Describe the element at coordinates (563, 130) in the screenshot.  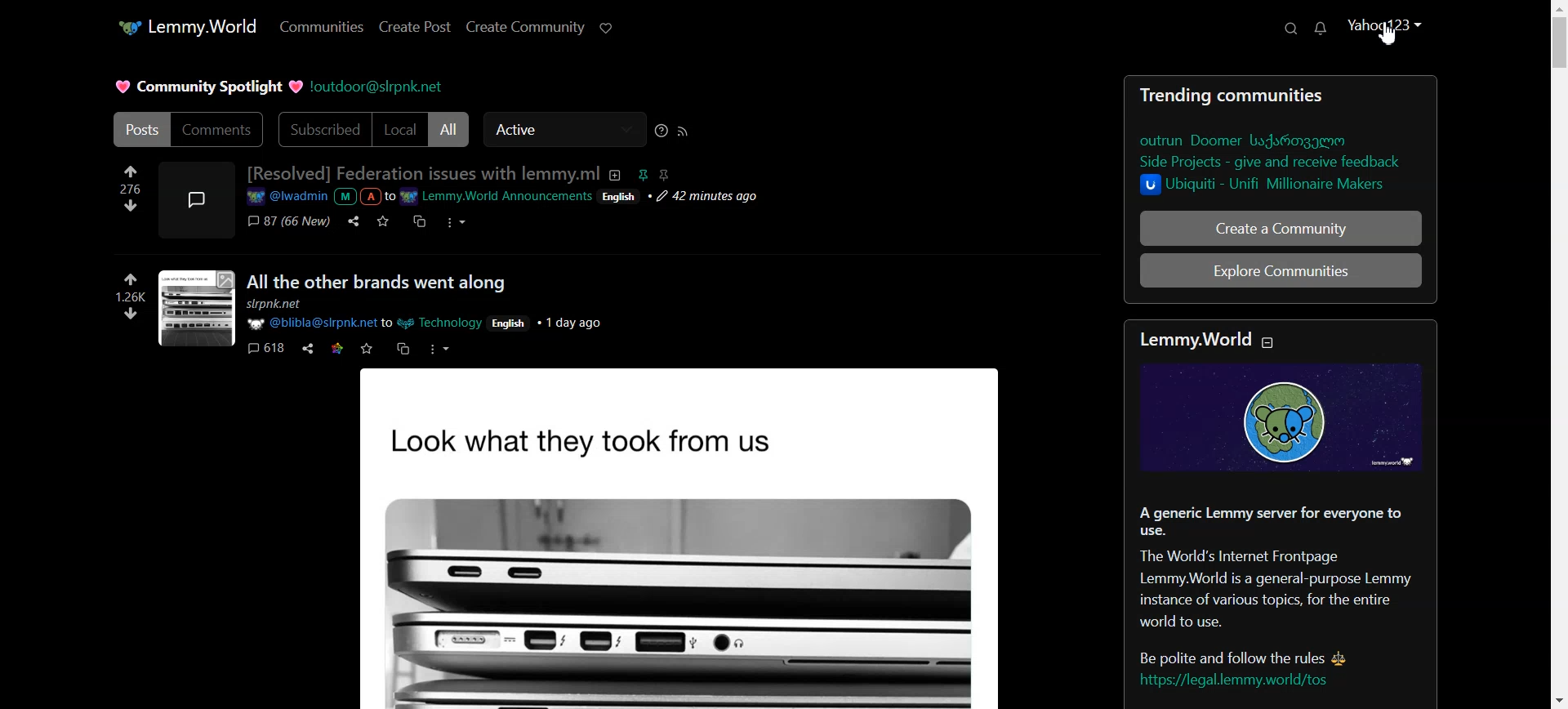
I see `Active` at that location.